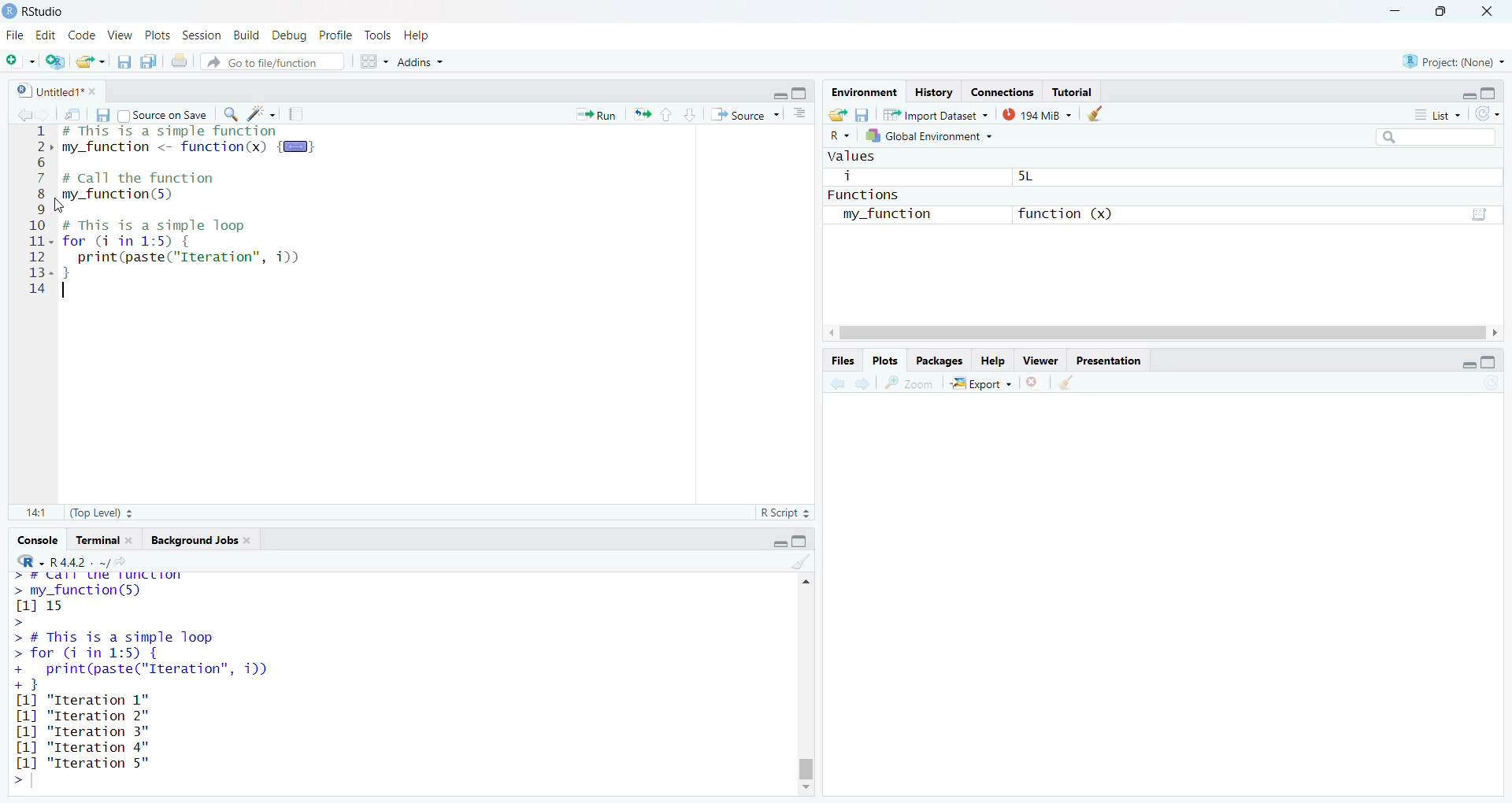  What do you see at coordinates (1501, 333) in the screenshot?
I see `move right` at bounding box center [1501, 333].